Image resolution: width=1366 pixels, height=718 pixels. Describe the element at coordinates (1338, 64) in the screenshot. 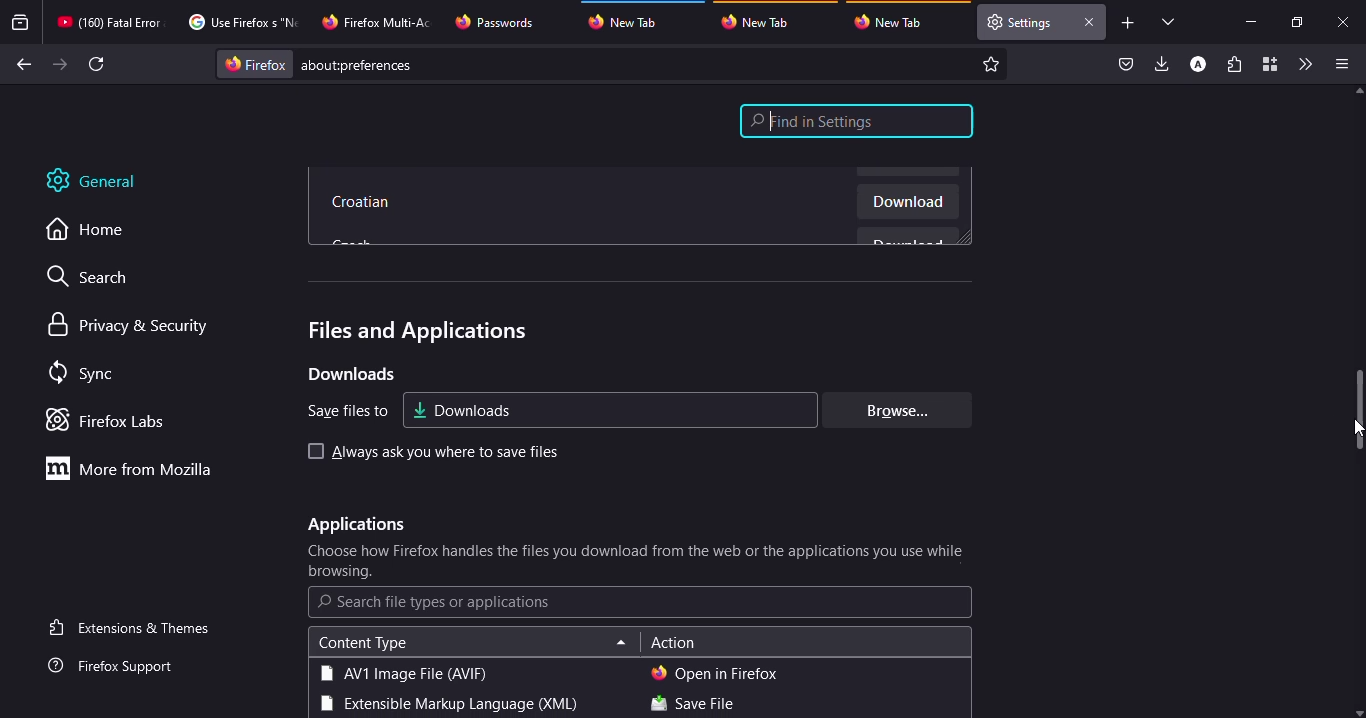

I see `menu` at that location.